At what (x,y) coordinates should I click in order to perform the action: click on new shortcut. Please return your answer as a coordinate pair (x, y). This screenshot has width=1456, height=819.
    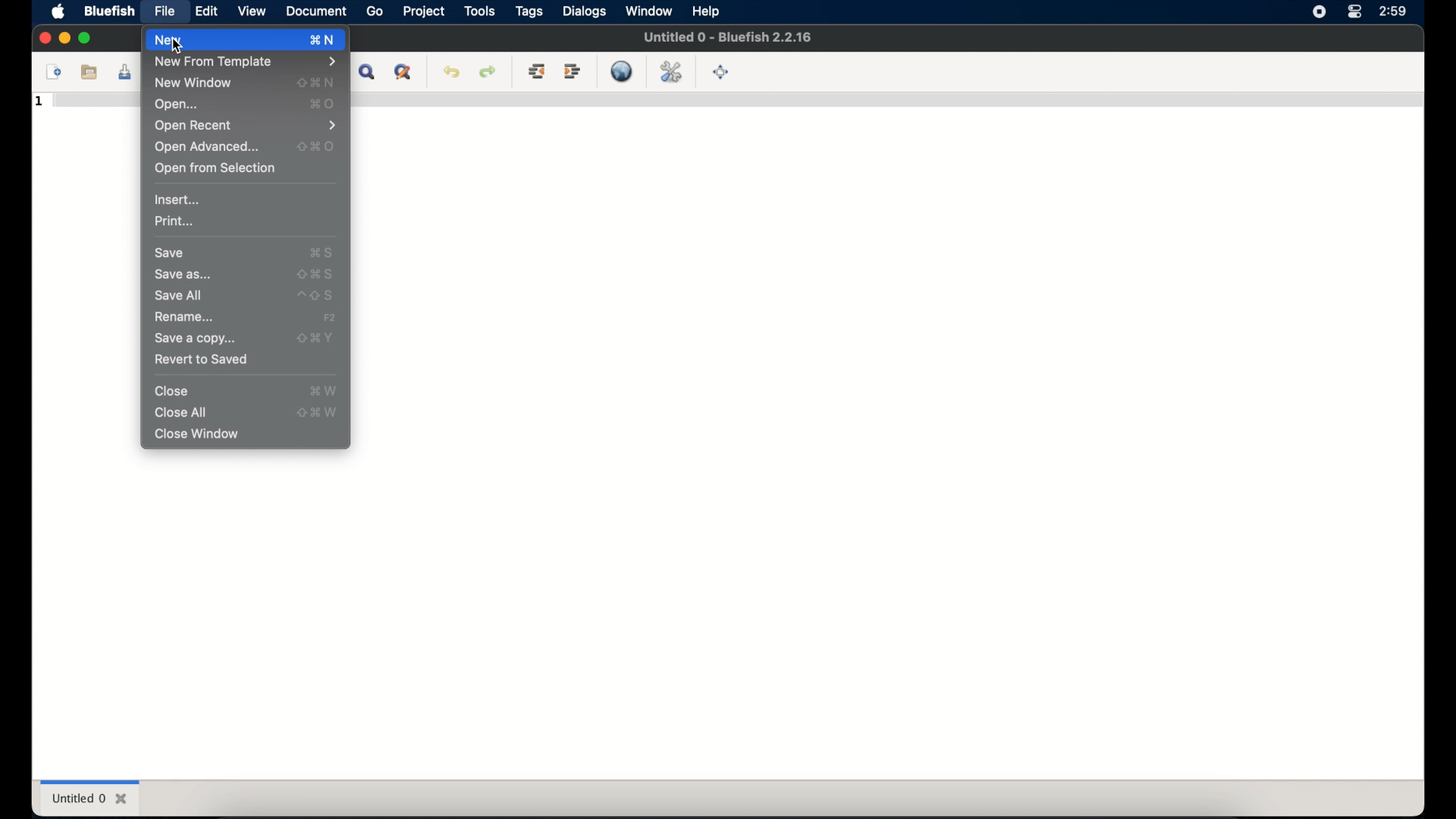
    Looking at the image, I should click on (323, 41).